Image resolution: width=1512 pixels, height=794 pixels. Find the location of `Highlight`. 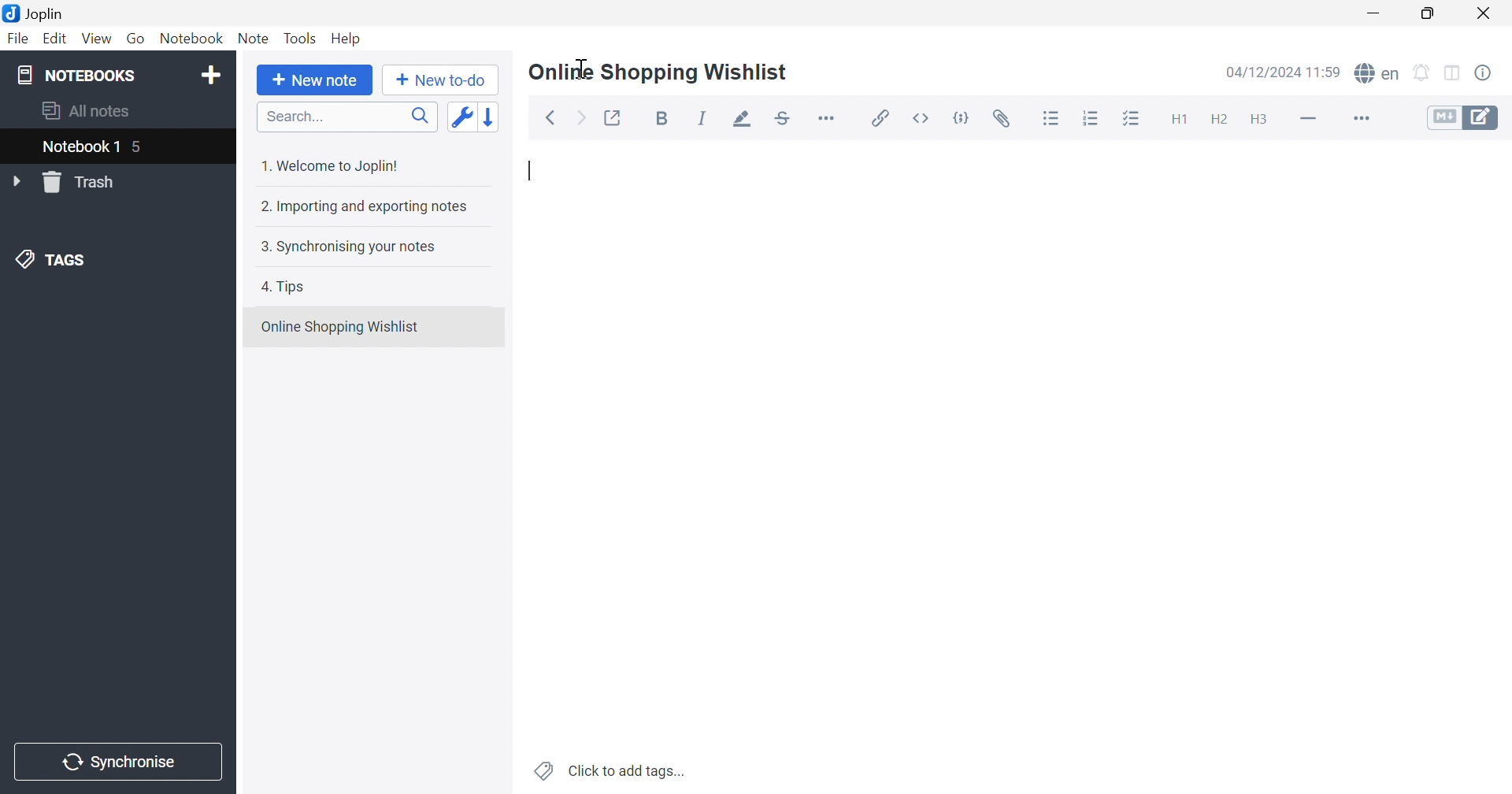

Highlight is located at coordinates (743, 121).